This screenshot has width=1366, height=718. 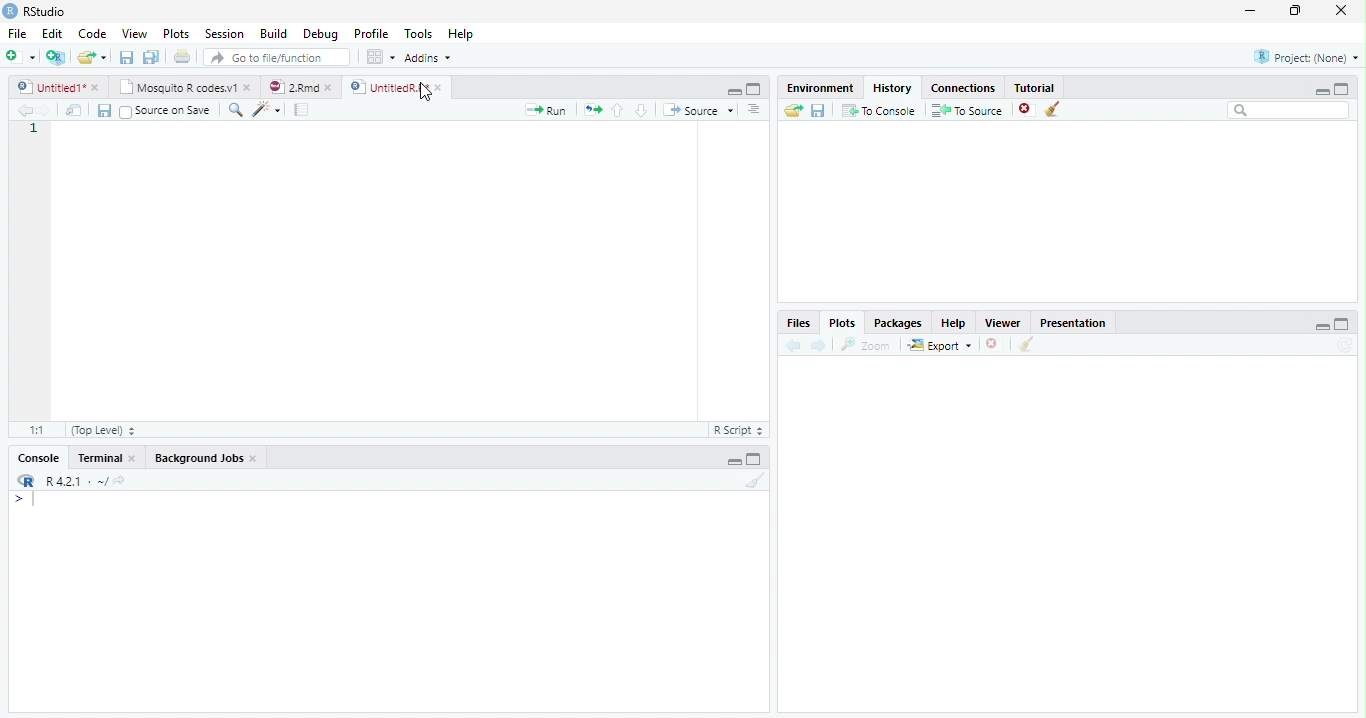 I want to click on To source, so click(x=970, y=112).